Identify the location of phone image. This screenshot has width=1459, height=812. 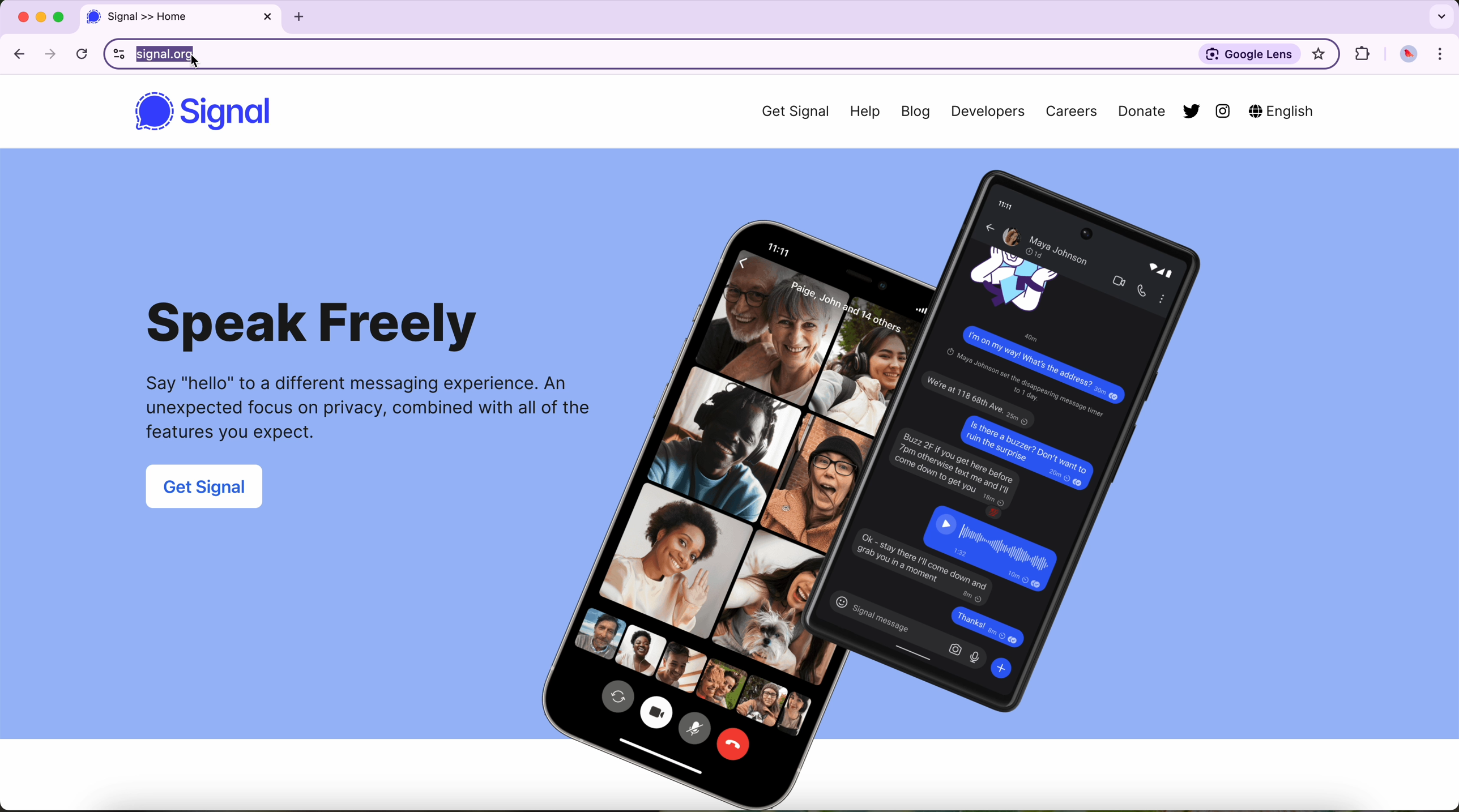
(913, 485).